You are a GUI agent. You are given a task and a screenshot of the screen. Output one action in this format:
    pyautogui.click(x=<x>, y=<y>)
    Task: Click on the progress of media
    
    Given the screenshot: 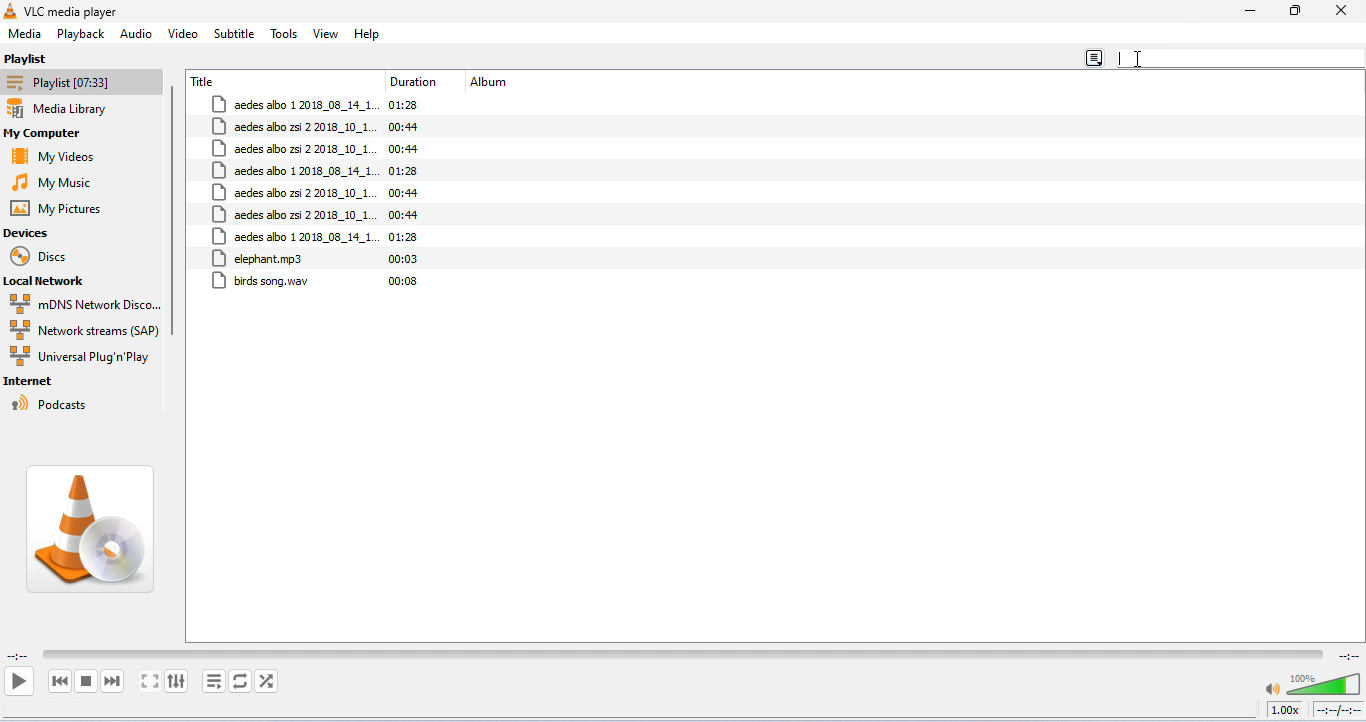 What is the action you would take?
    pyautogui.click(x=683, y=652)
    